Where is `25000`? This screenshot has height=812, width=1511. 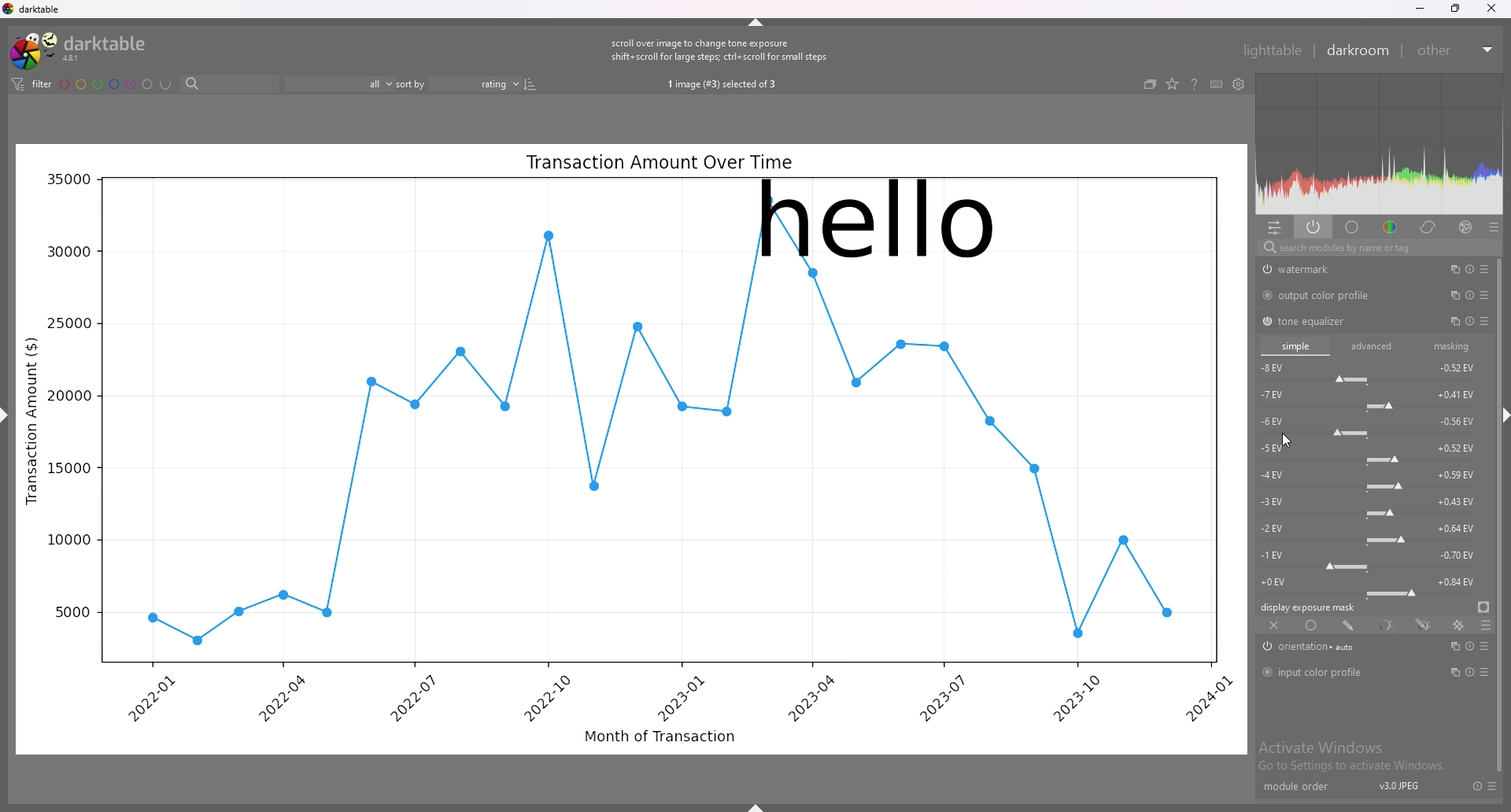
25000 is located at coordinates (68, 322).